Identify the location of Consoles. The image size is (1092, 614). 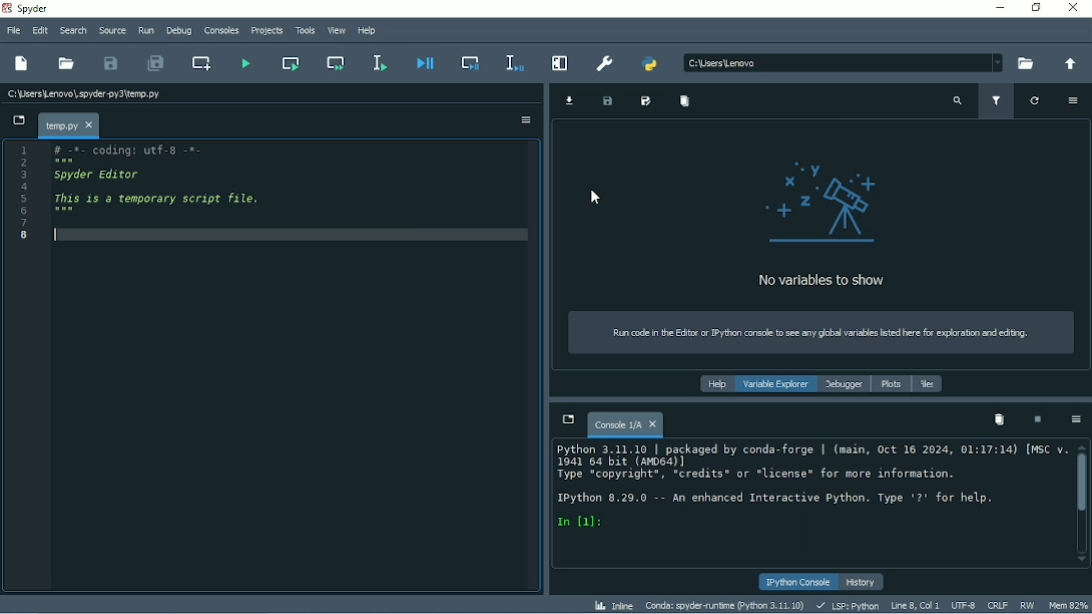
(220, 31).